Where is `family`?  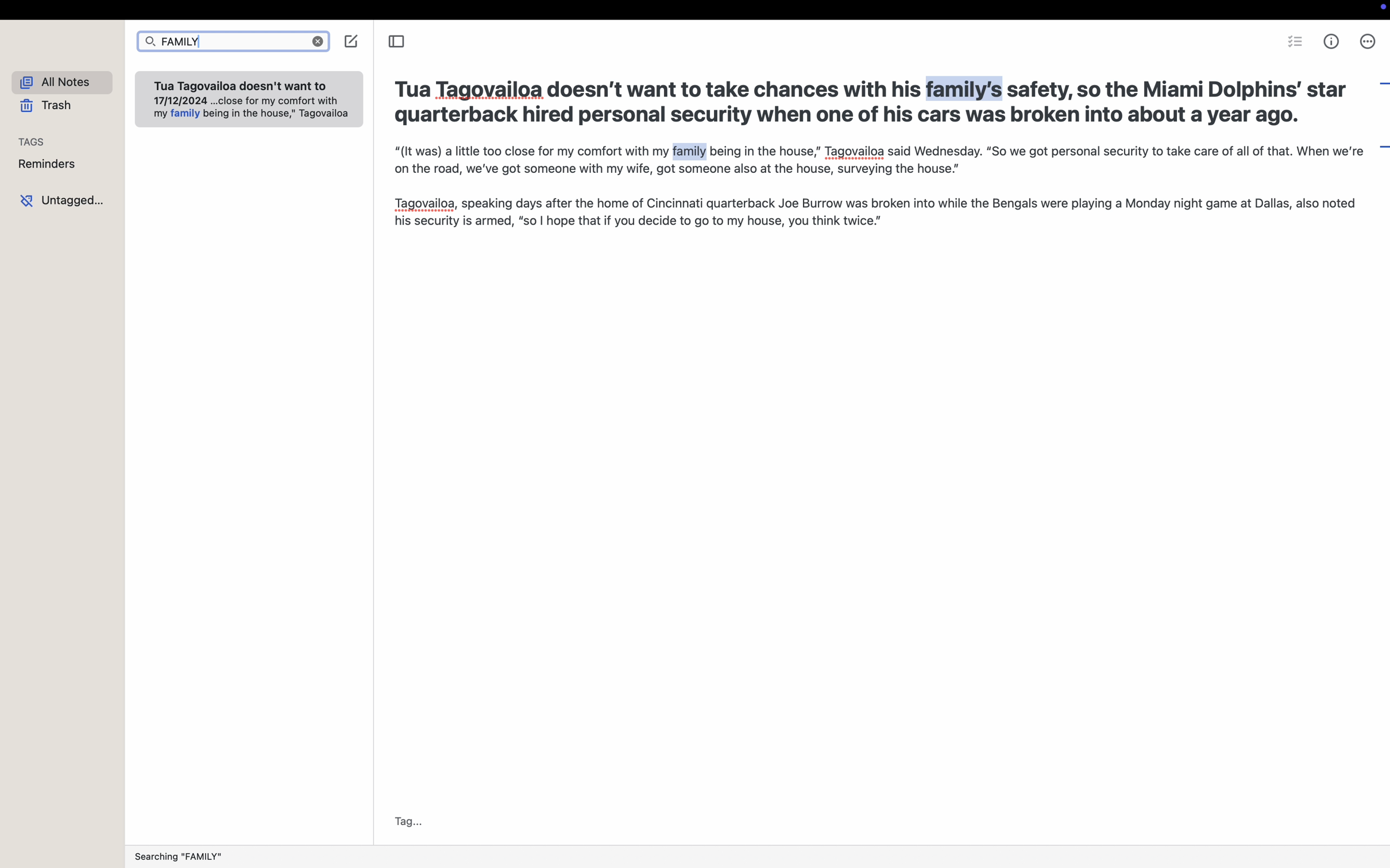
family is located at coordinates (233, 43).